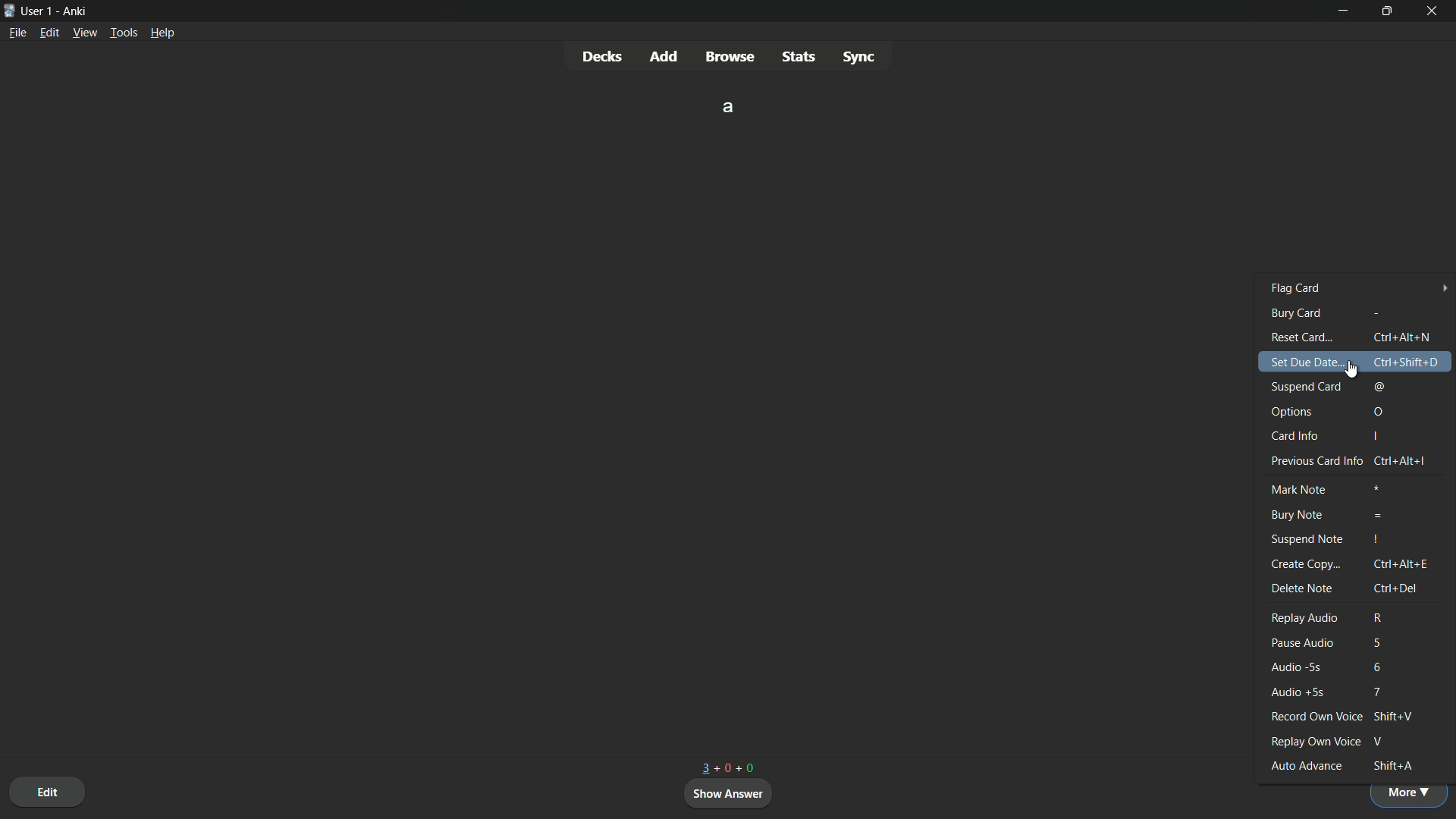  What do you see at coordinates (1305, 538) in the screenshot?
I see `suspend note` at bounding box center [1305, 538].